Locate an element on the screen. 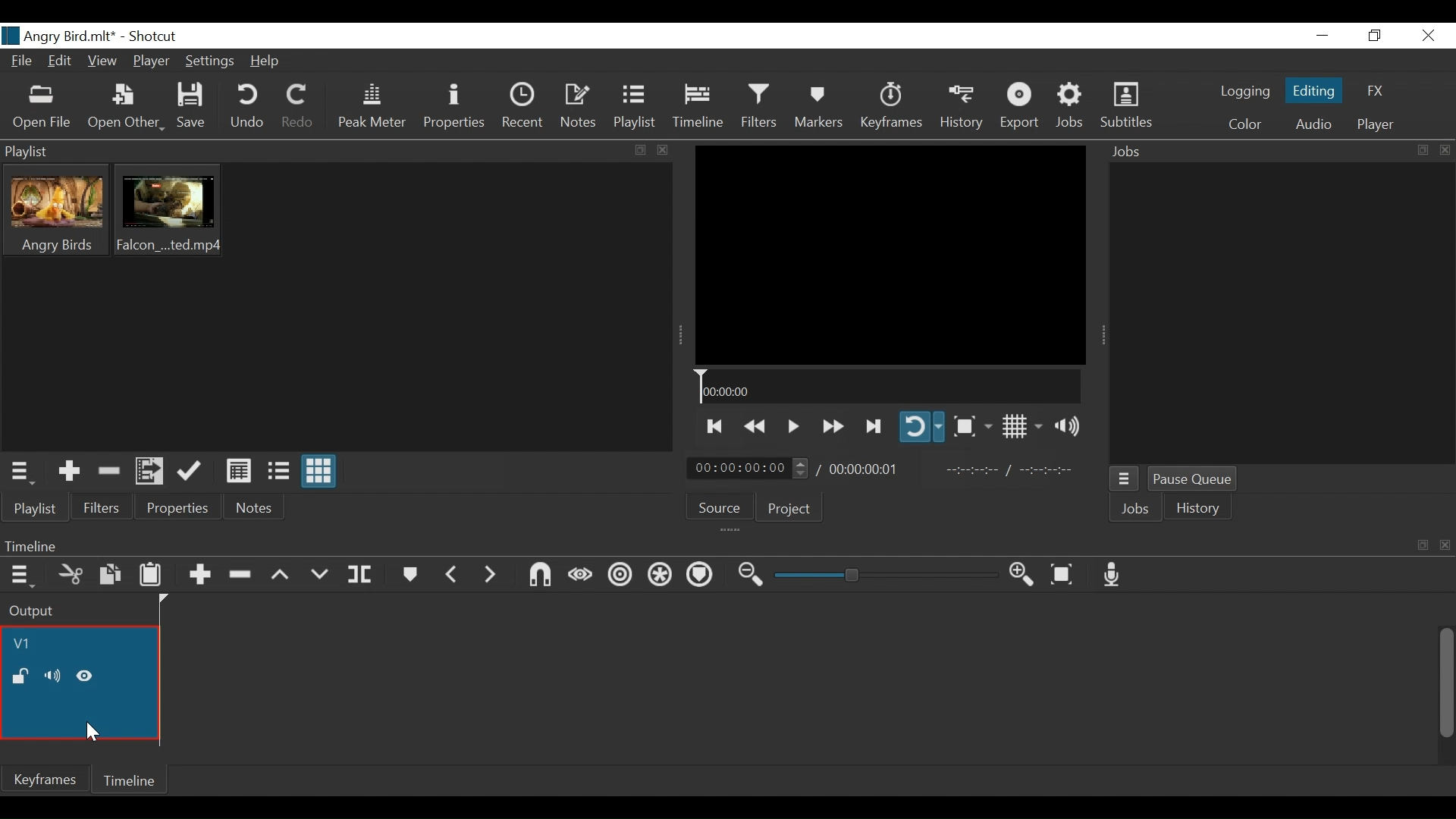 The height and width of the screenshot is (819, 1456). timeline is located at coordinates (80, 682).